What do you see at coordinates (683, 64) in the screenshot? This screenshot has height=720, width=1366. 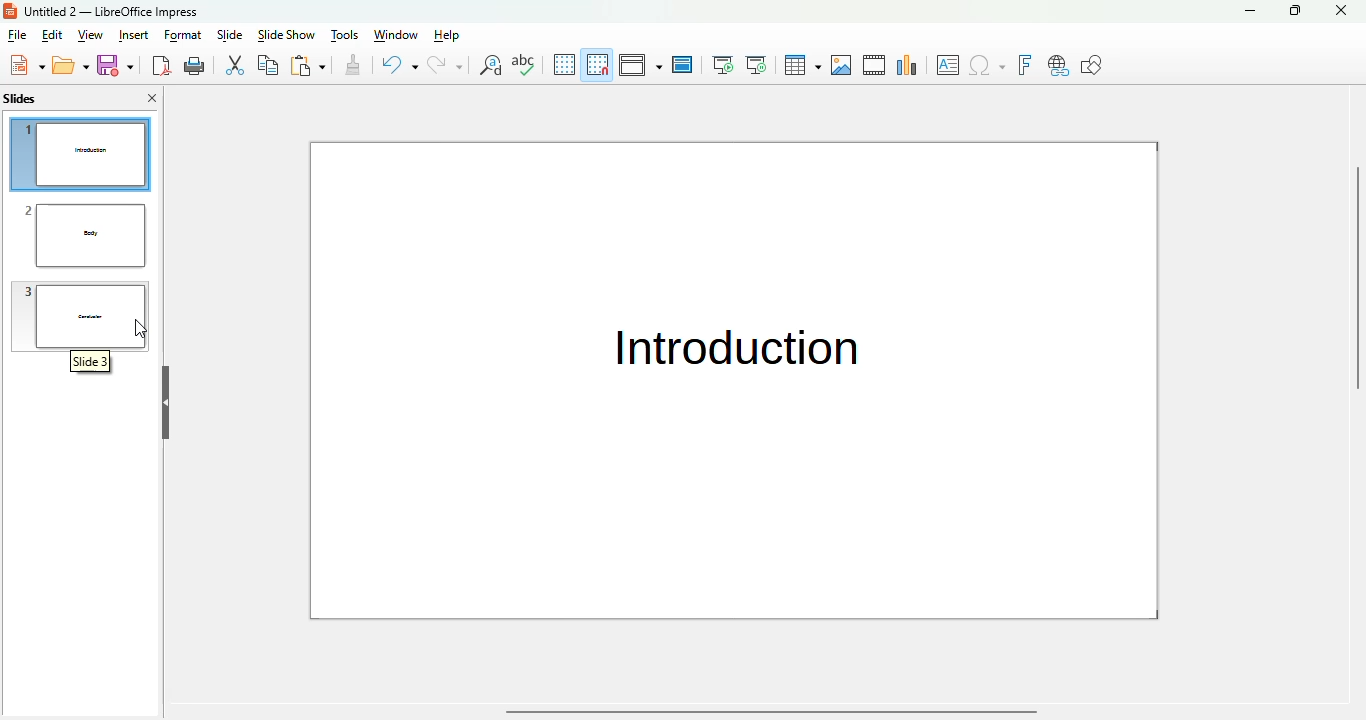 I see `master slide` at bounding box center [683, 64].